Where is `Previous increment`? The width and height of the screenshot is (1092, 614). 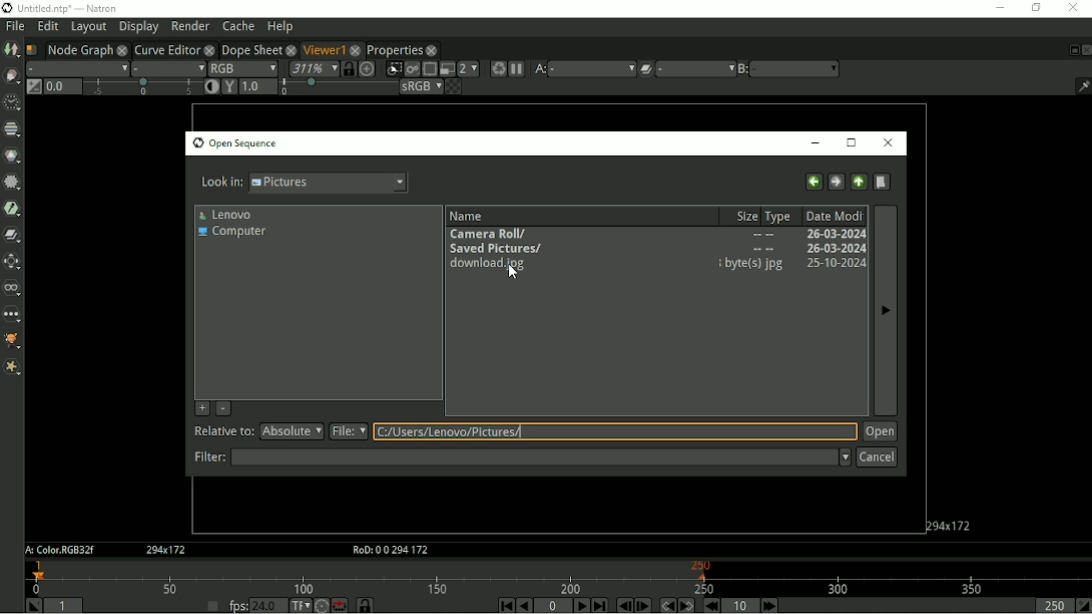
Previous increment is located at coordinates (713, 605).